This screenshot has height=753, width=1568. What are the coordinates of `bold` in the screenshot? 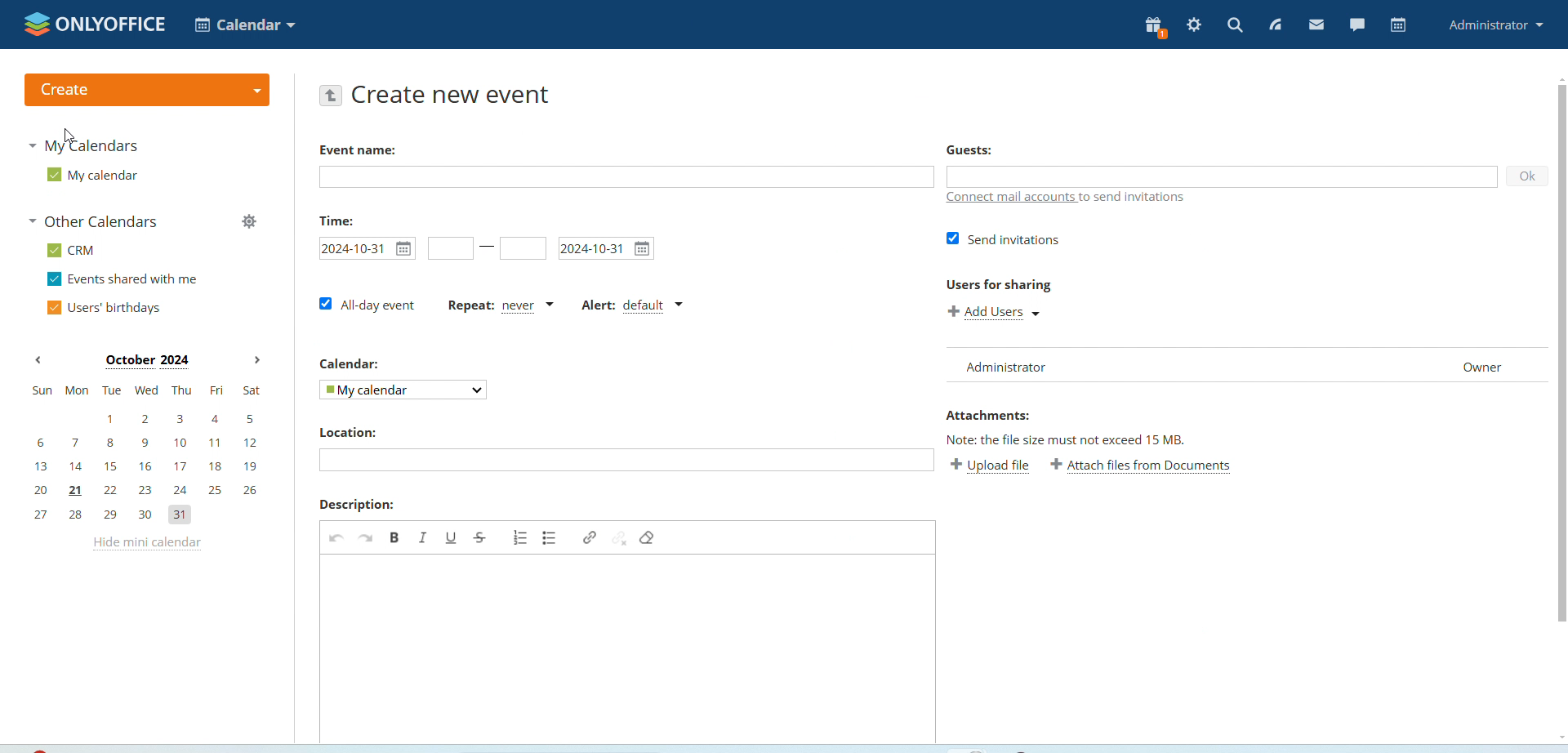 It's located at (394, 537).